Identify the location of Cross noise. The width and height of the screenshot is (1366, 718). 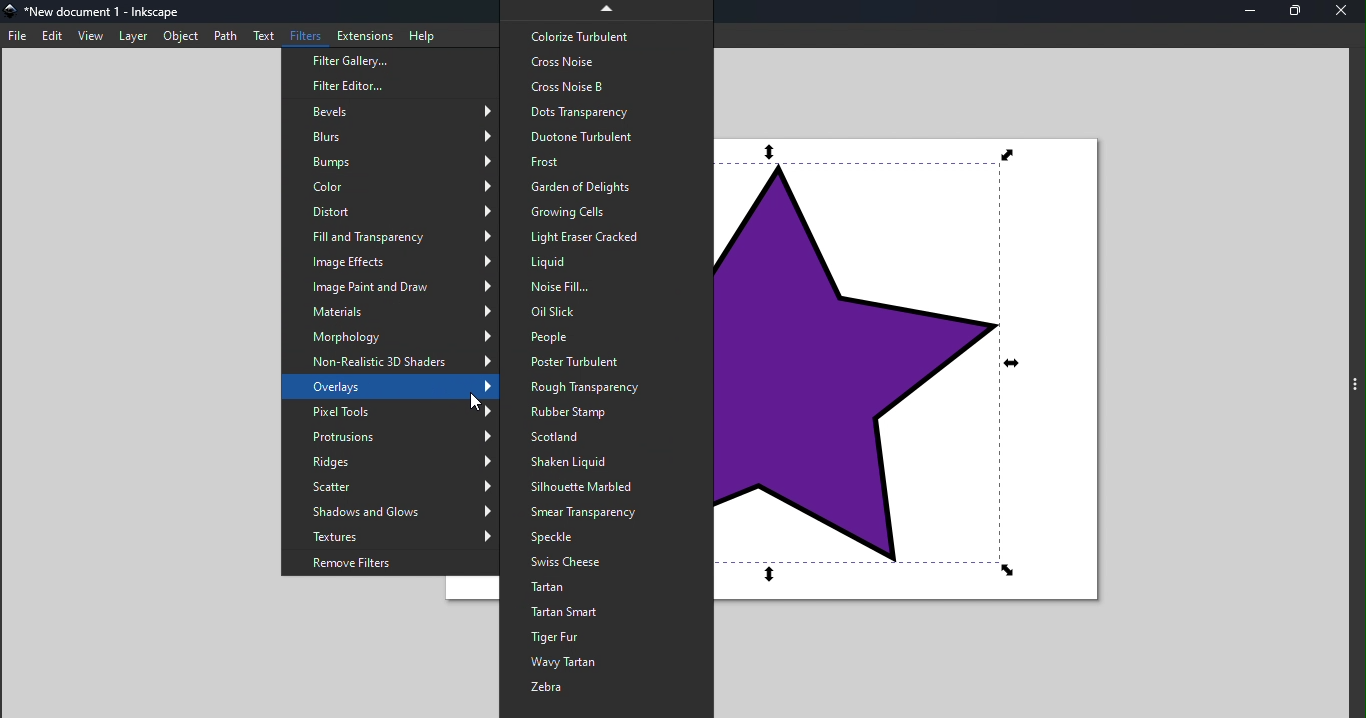
(606, 61).